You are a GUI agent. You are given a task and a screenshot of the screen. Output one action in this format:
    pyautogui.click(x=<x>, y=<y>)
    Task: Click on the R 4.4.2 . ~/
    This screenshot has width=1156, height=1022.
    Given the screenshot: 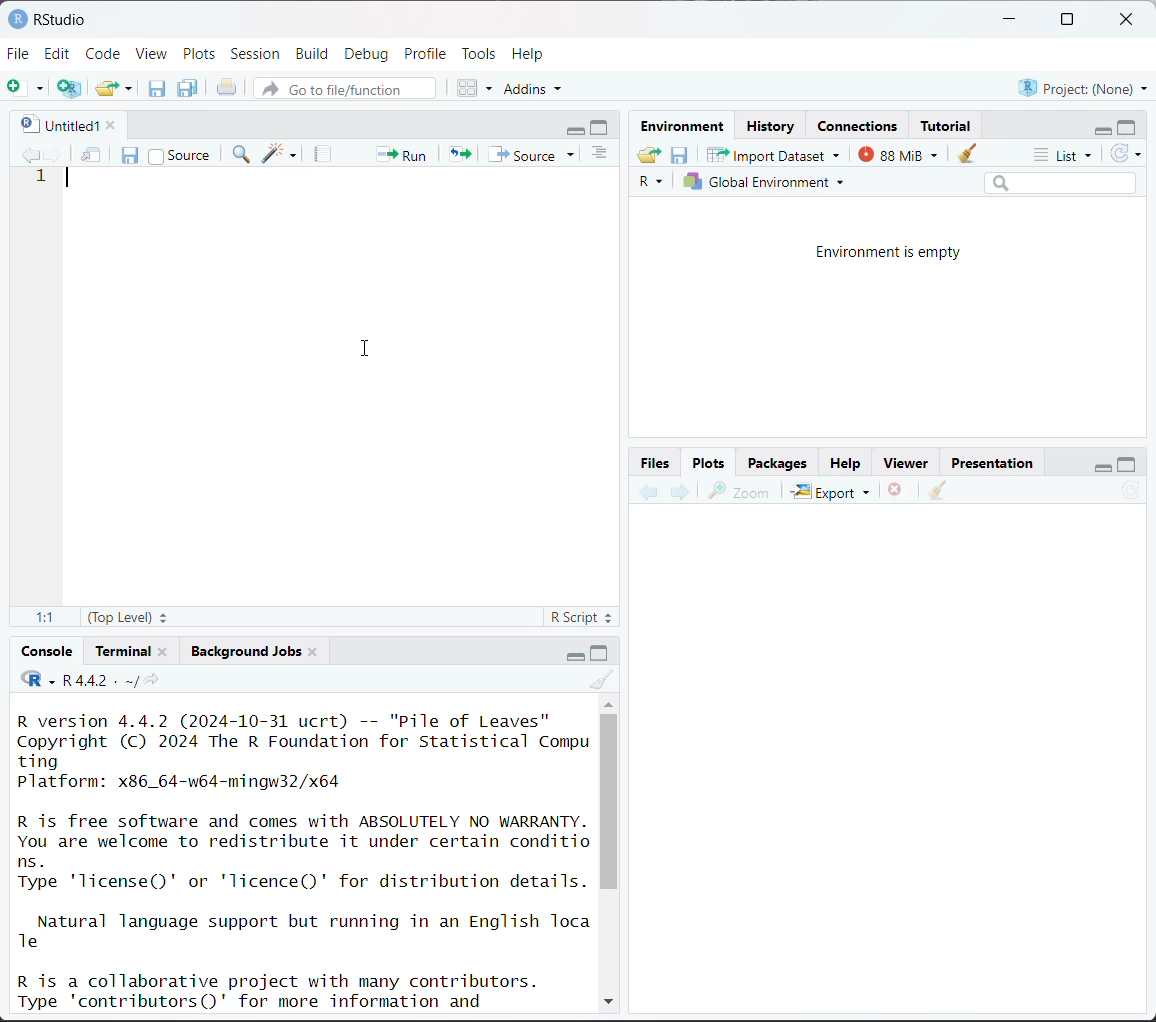 What is the action you would take?
    pyautogui.click(x=99, y=680)
    